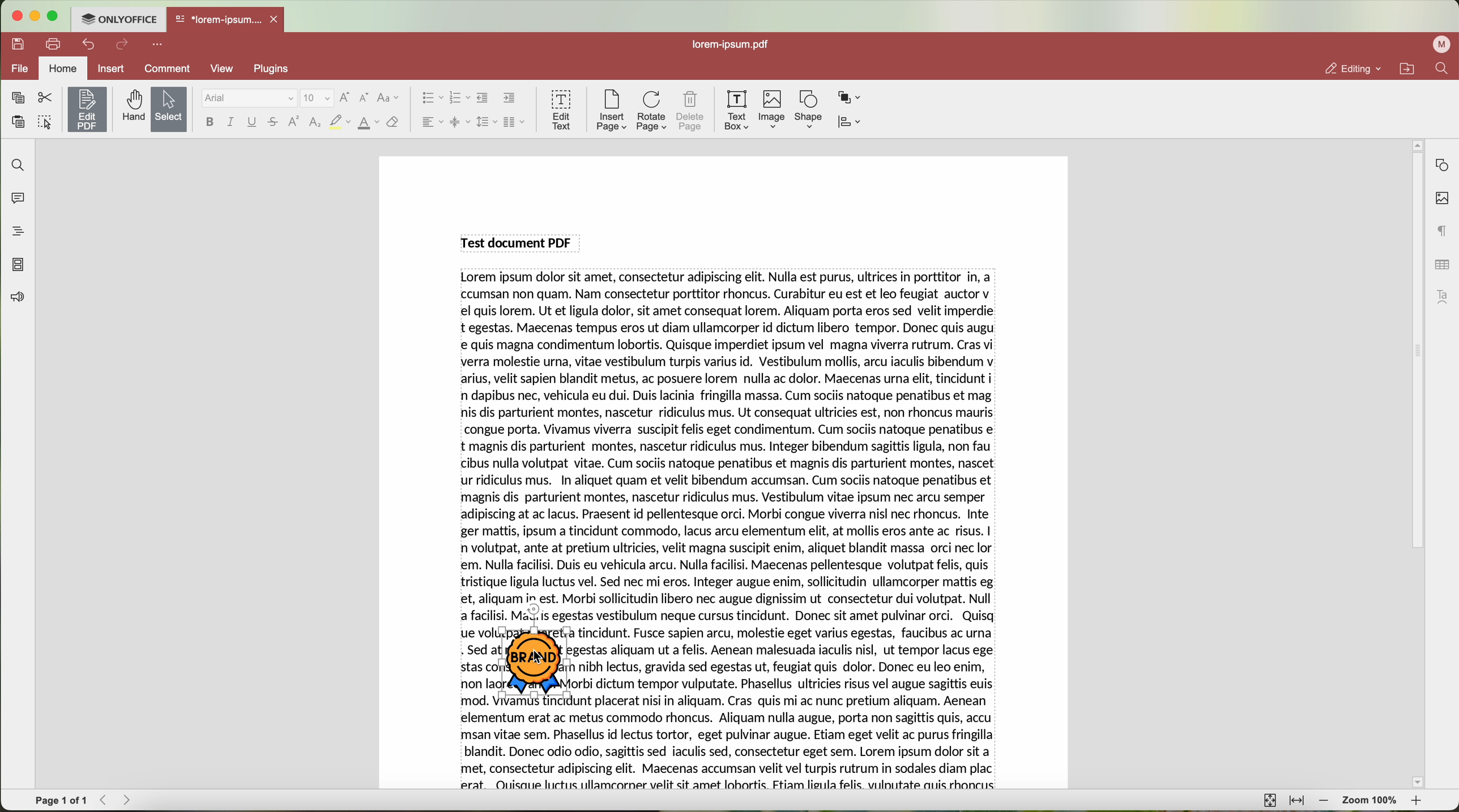  What do you see at coordinates (169, 70) in the screenshot?
I see `comment` at bounding box center [169, 70].